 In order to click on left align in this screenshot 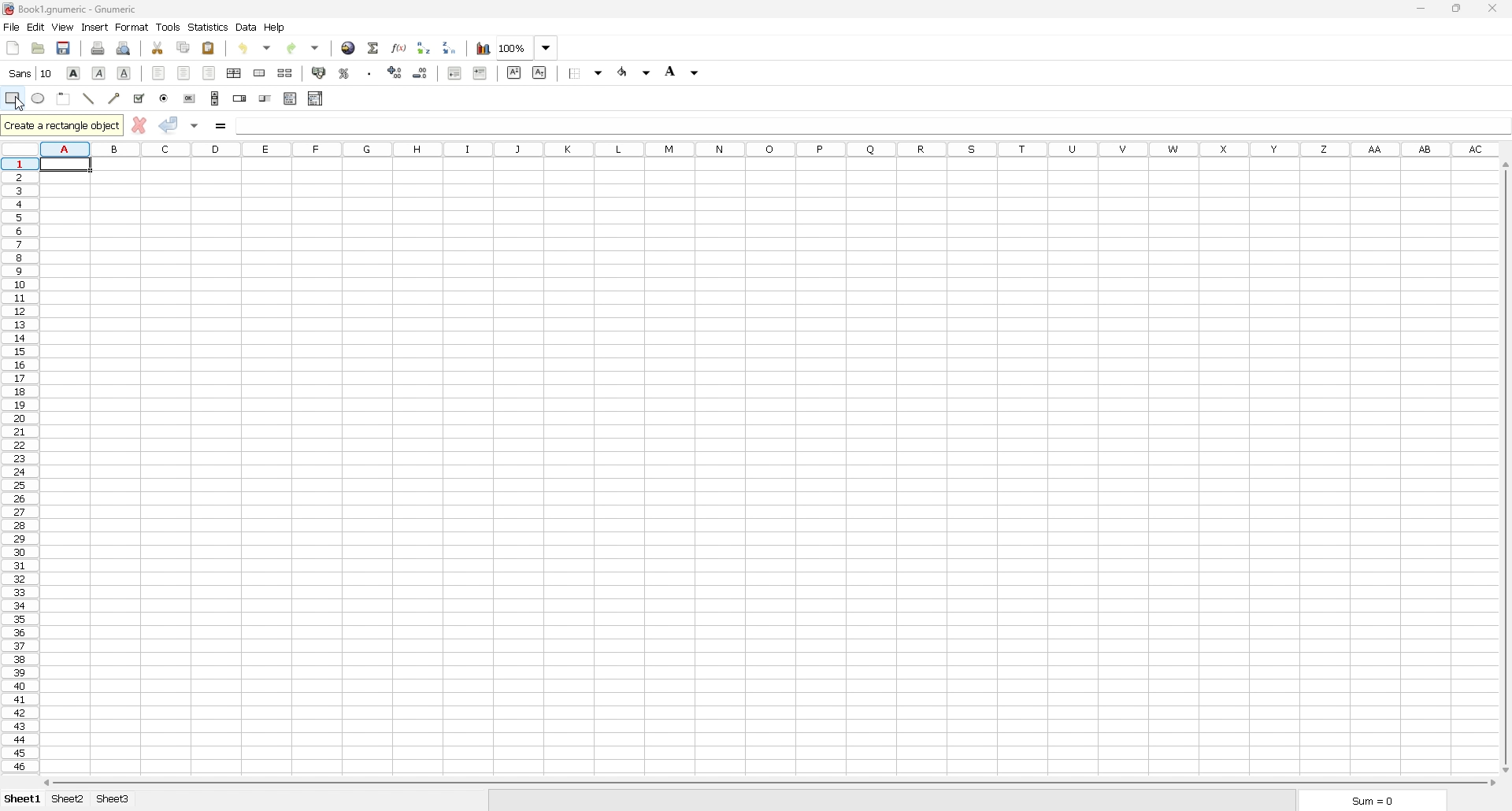, I will do `click(159, 72)`.